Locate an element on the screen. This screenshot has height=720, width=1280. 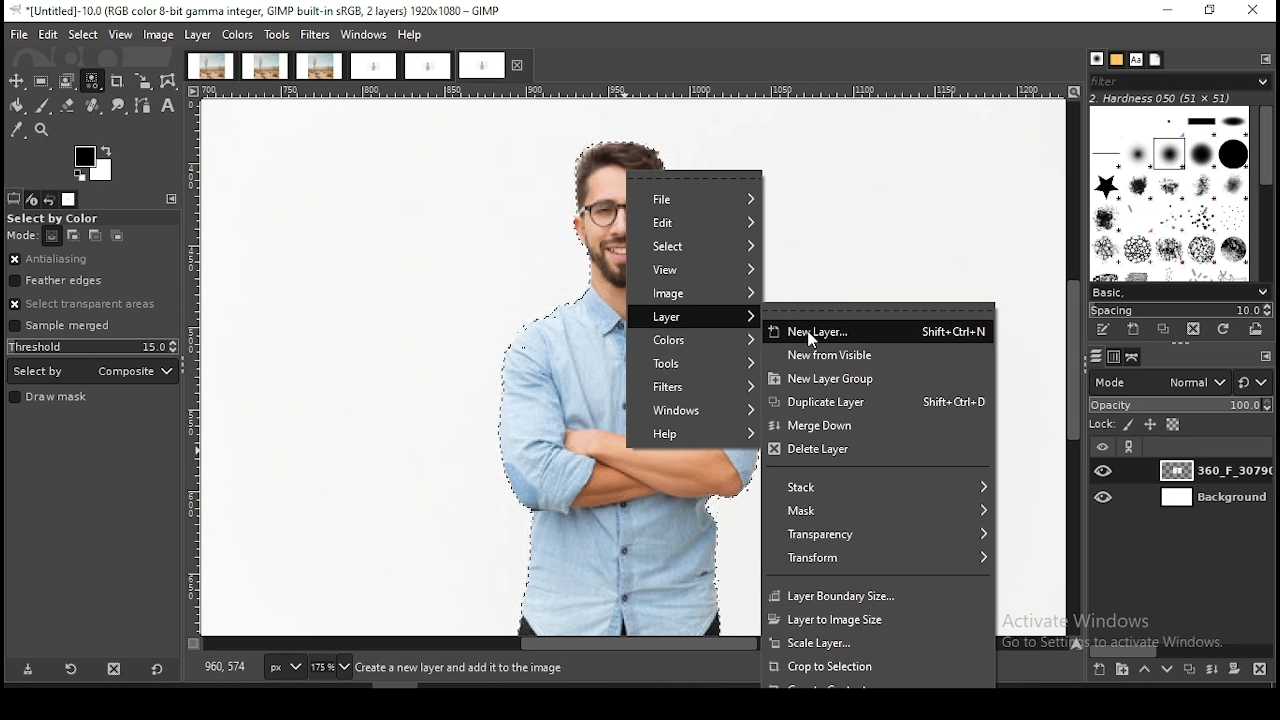
paintbrush tool is located at coordinates (43, 106).